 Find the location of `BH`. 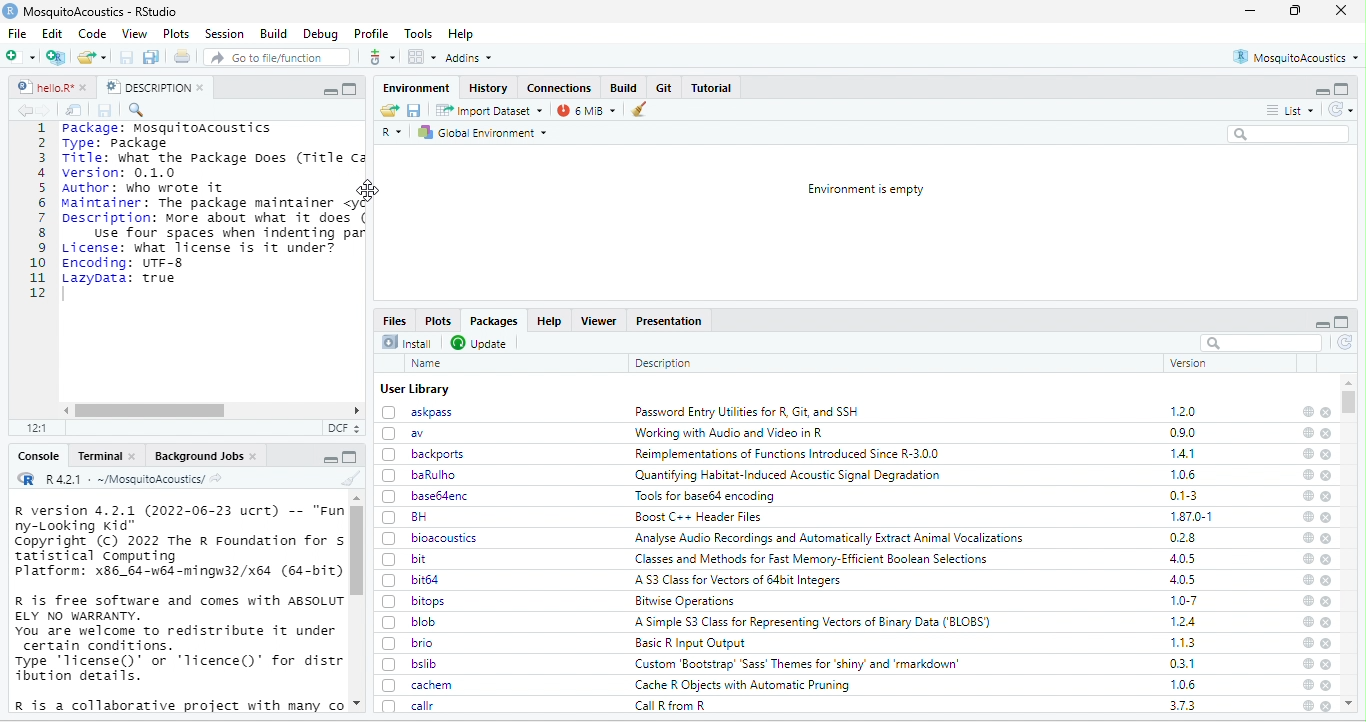

BH is located at coordinates (408, 516).